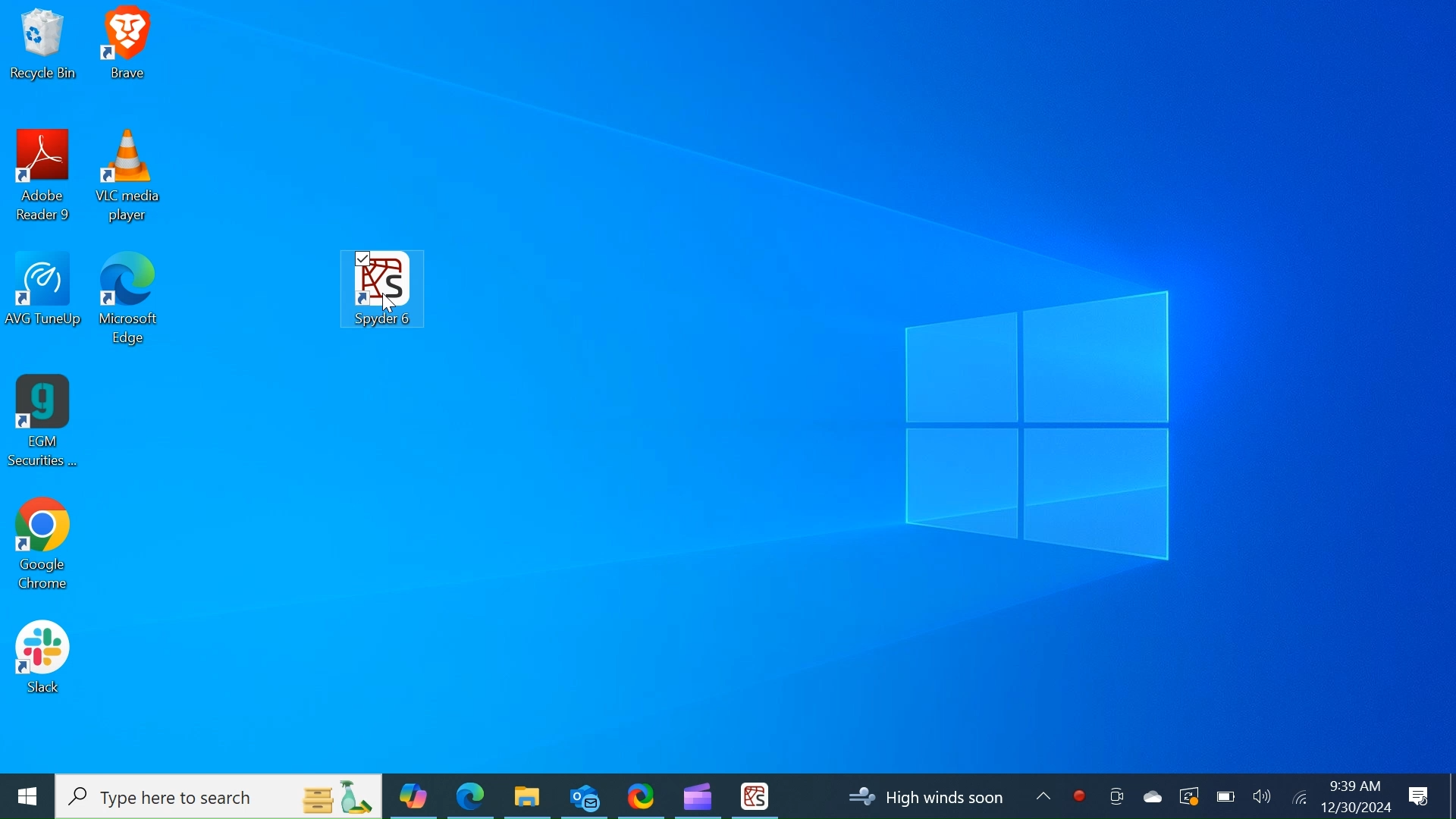 This screenshot has width=1456, height=819. I want to click on Cursor, so click(391, 306).